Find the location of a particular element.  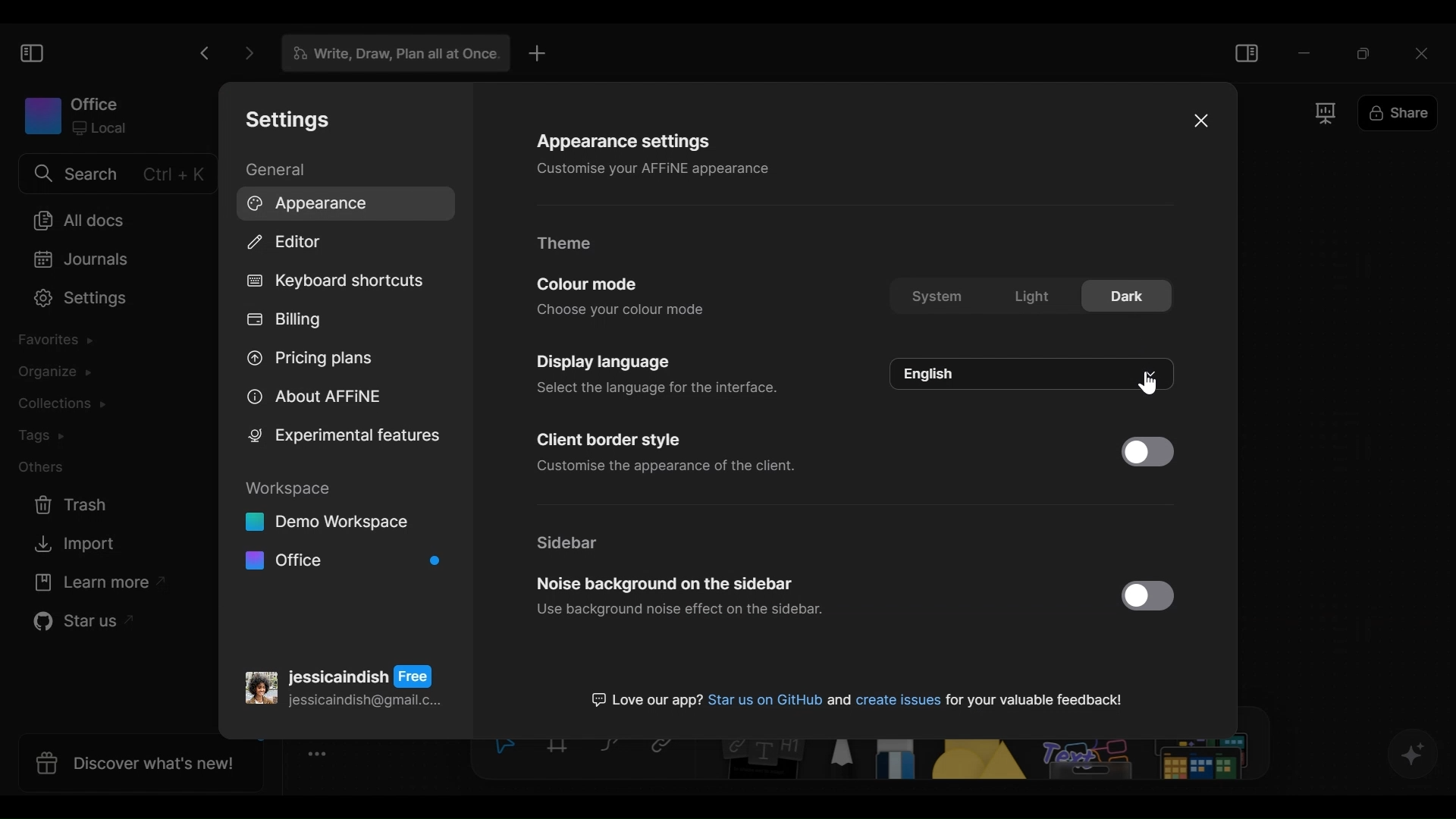

Settings is located at coordinates (74, 300).